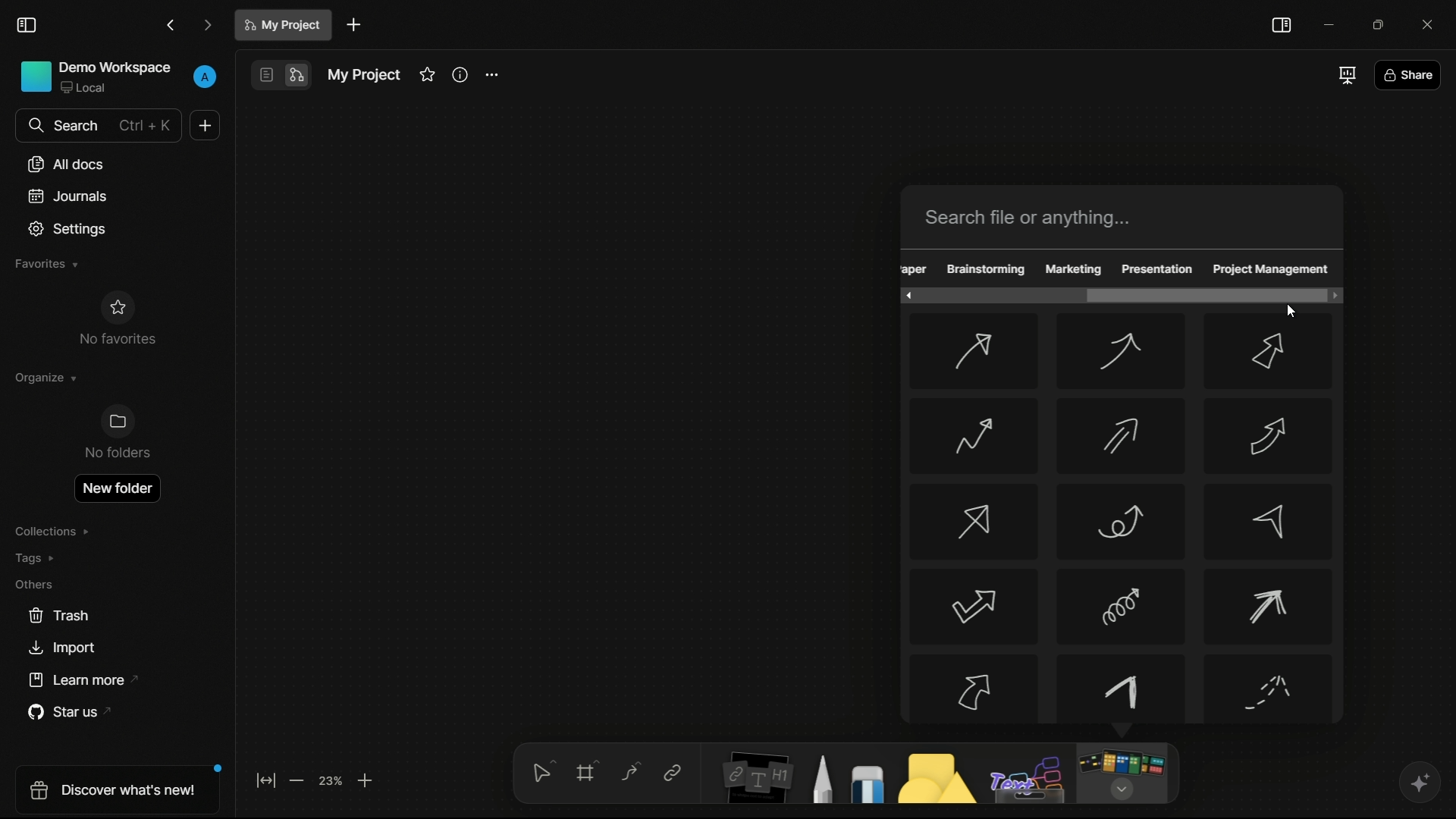  I want to click on new document, so click(205, 125).